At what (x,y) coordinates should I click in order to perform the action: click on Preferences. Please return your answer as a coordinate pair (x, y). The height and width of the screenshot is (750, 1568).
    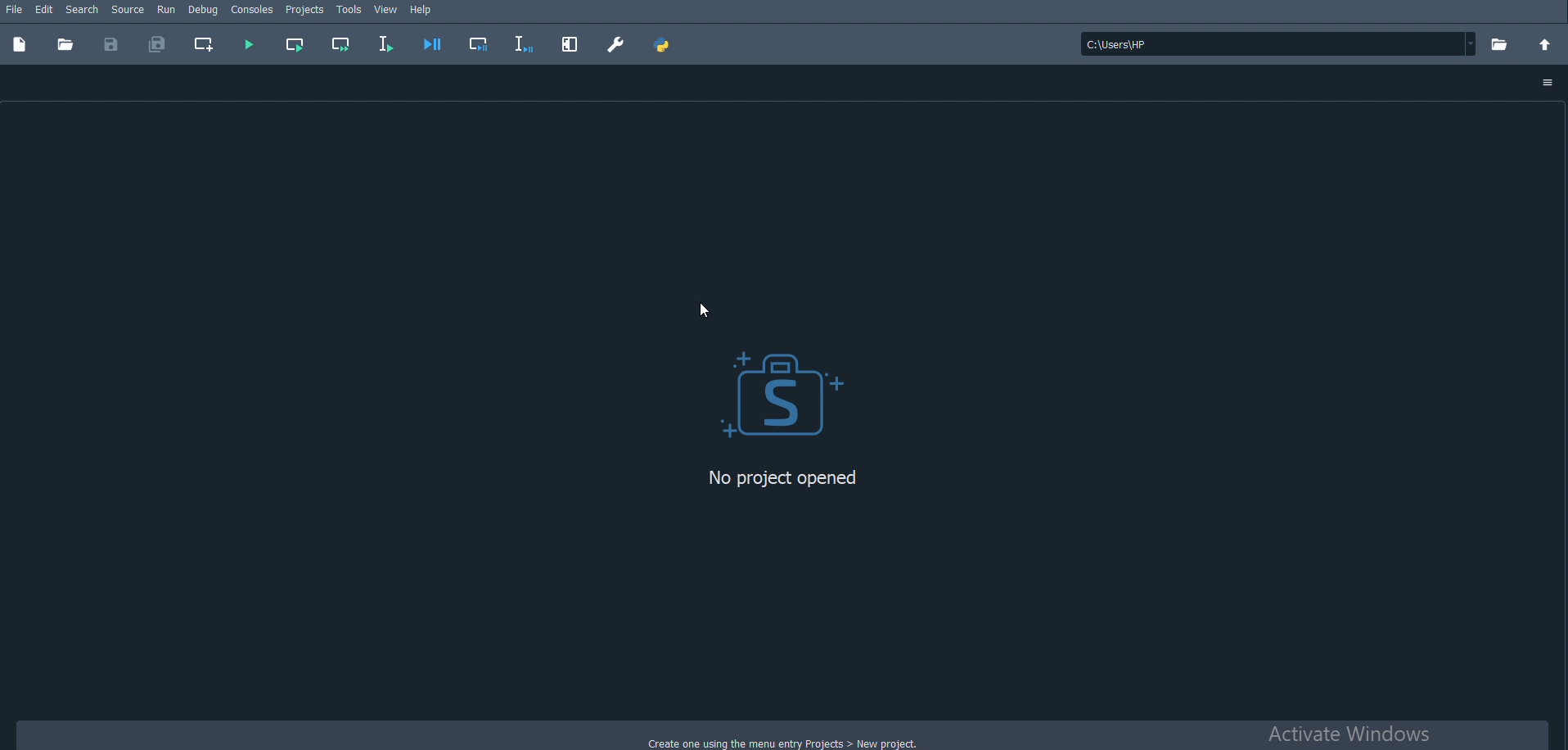
    Looking at the image, I should click on (617, 43).